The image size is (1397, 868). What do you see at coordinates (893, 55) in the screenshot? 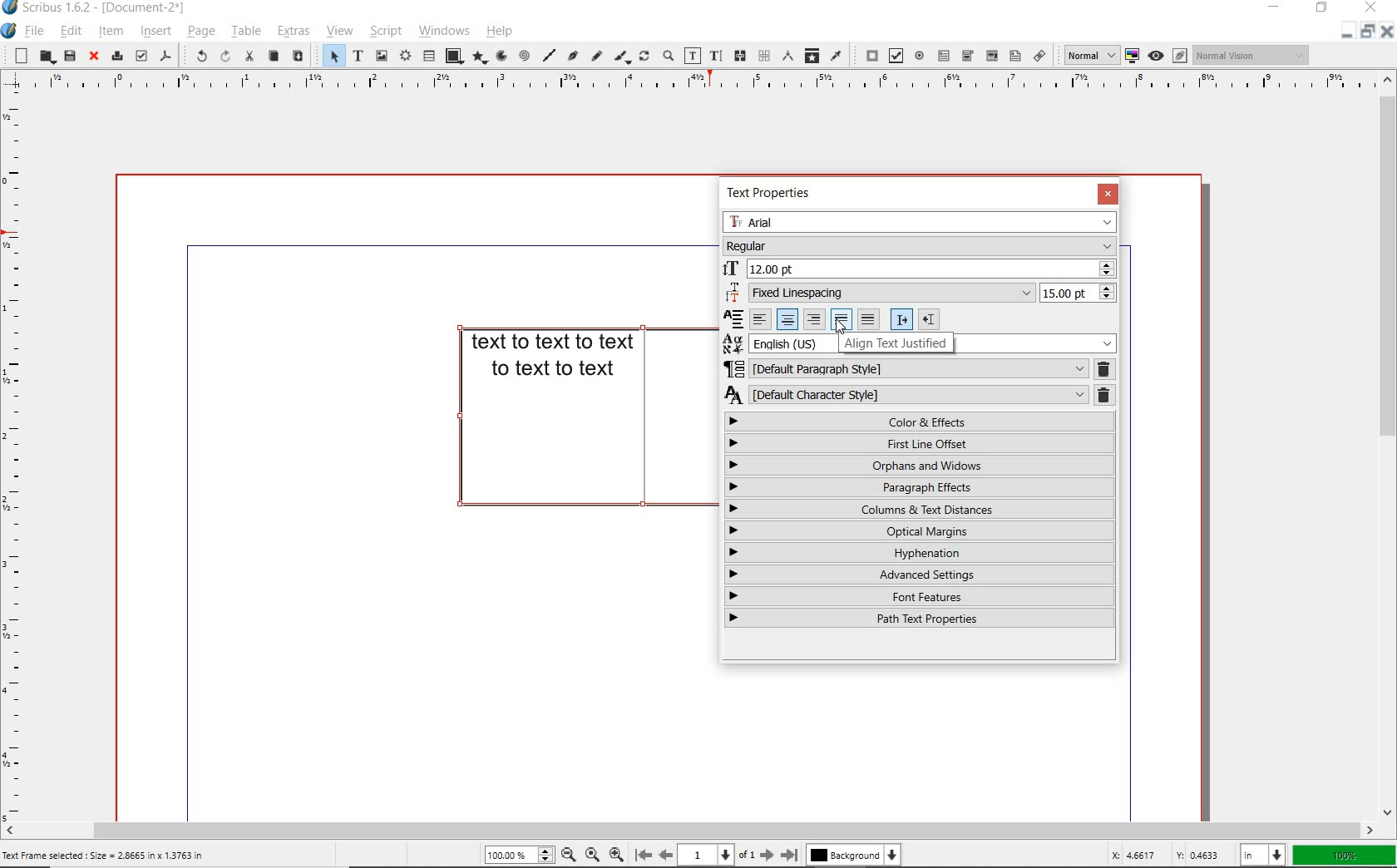
I see `pdf check box` at bounding box center [893, 55].